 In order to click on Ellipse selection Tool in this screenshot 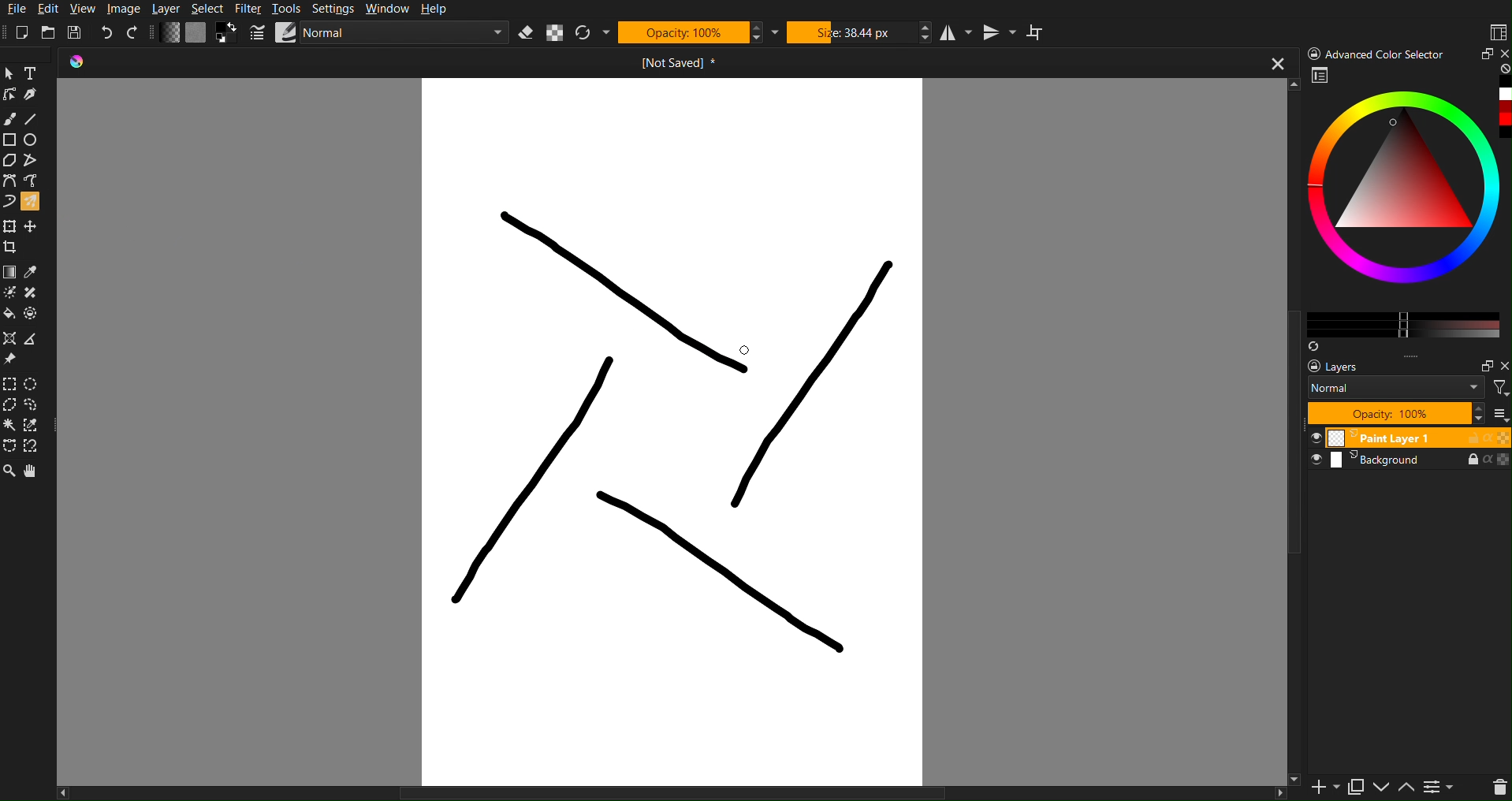, I will do `click(36, 384)`.